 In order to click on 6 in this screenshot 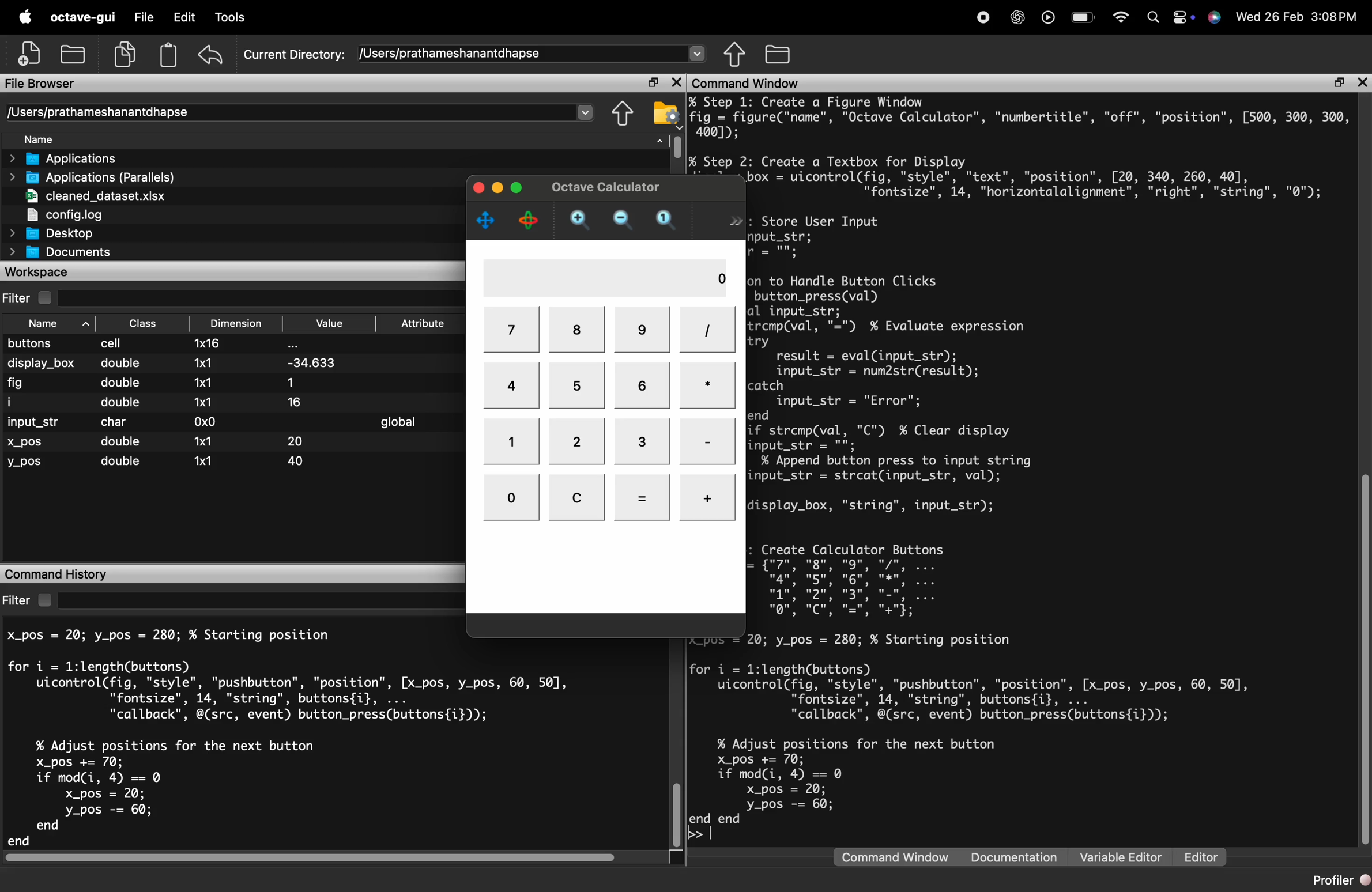, I will do `click(642, 384)`.